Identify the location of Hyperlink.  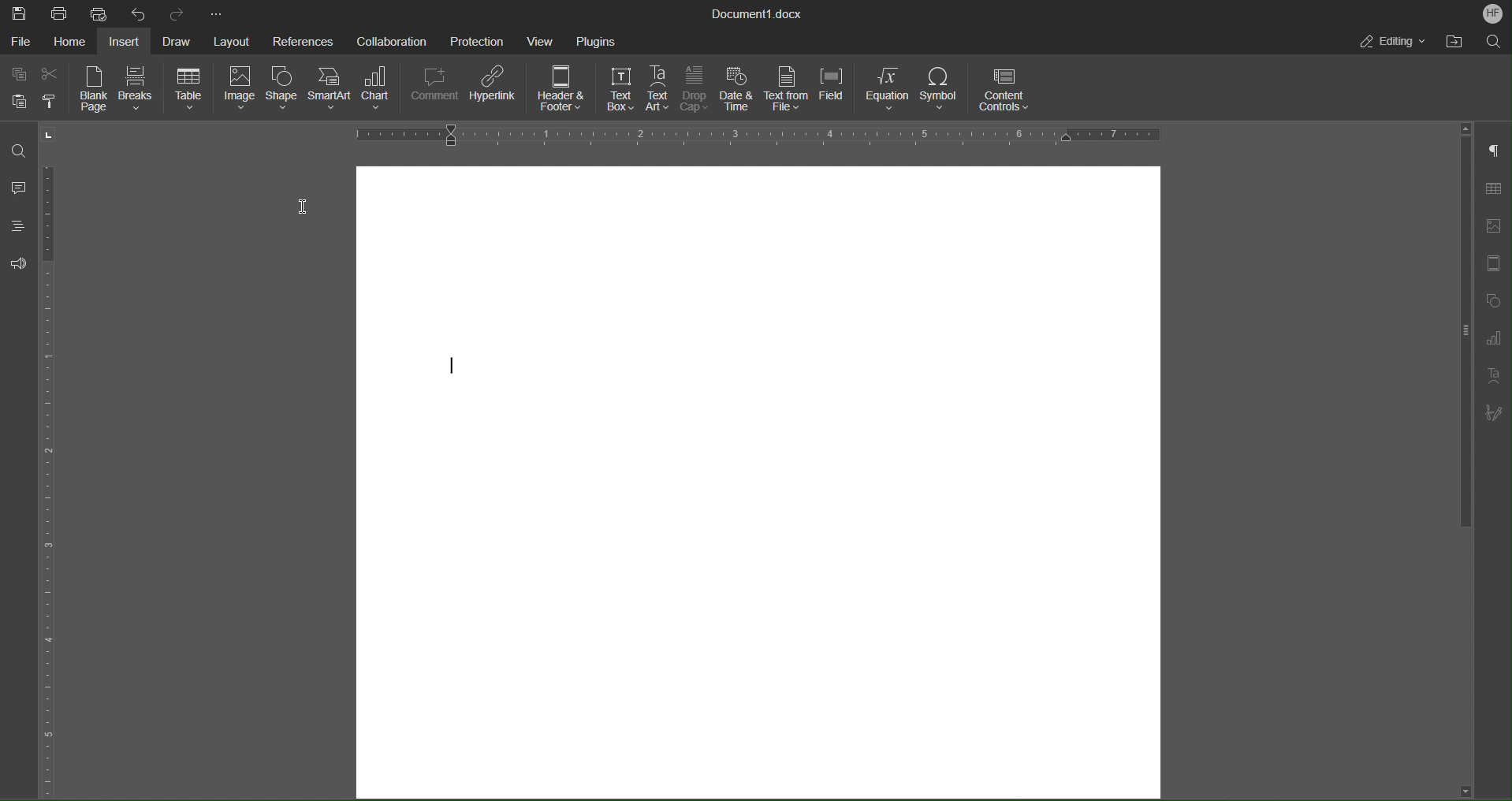
(497, 91).